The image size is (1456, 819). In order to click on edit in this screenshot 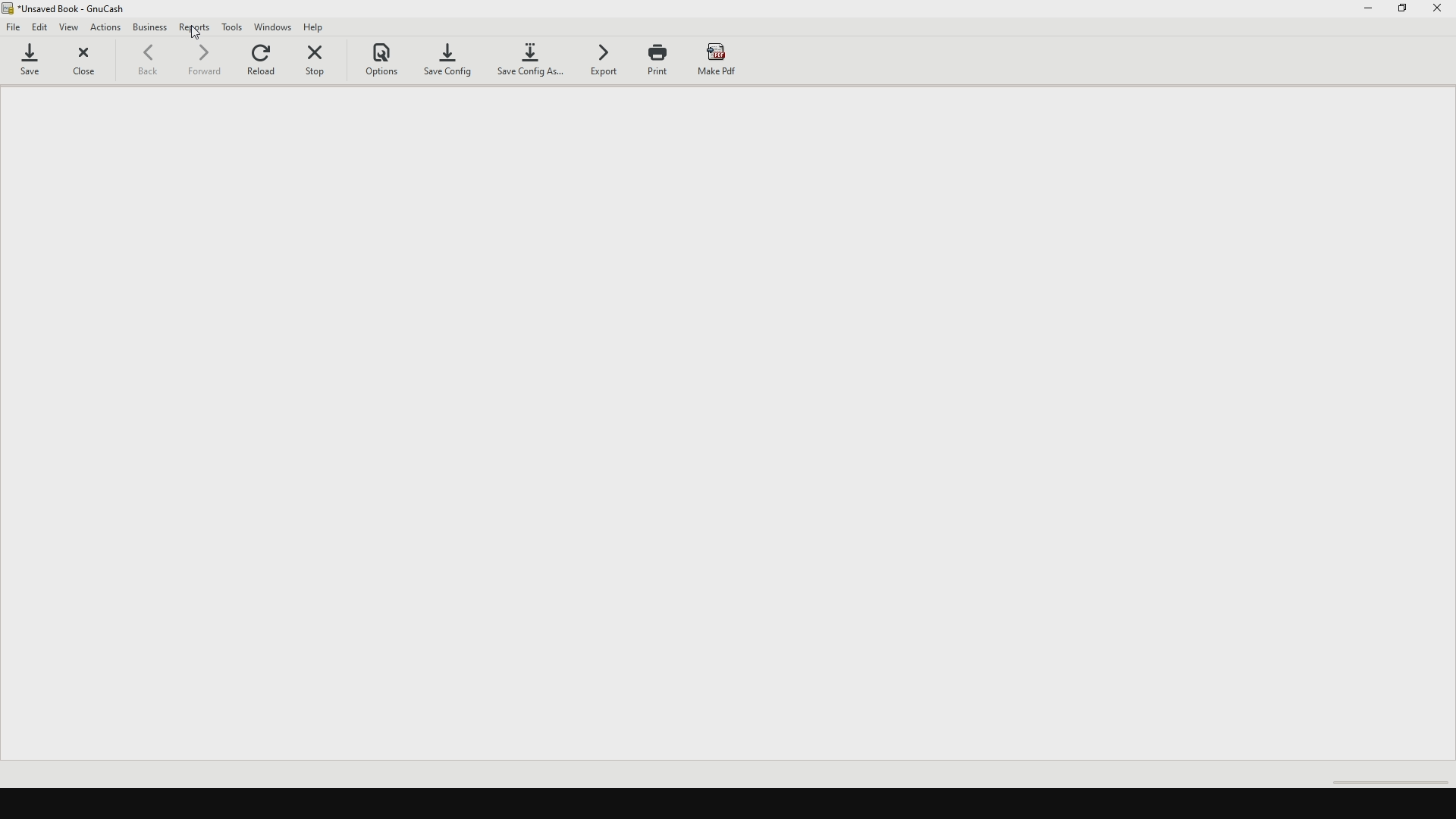, I will do `click(42, 27)`.